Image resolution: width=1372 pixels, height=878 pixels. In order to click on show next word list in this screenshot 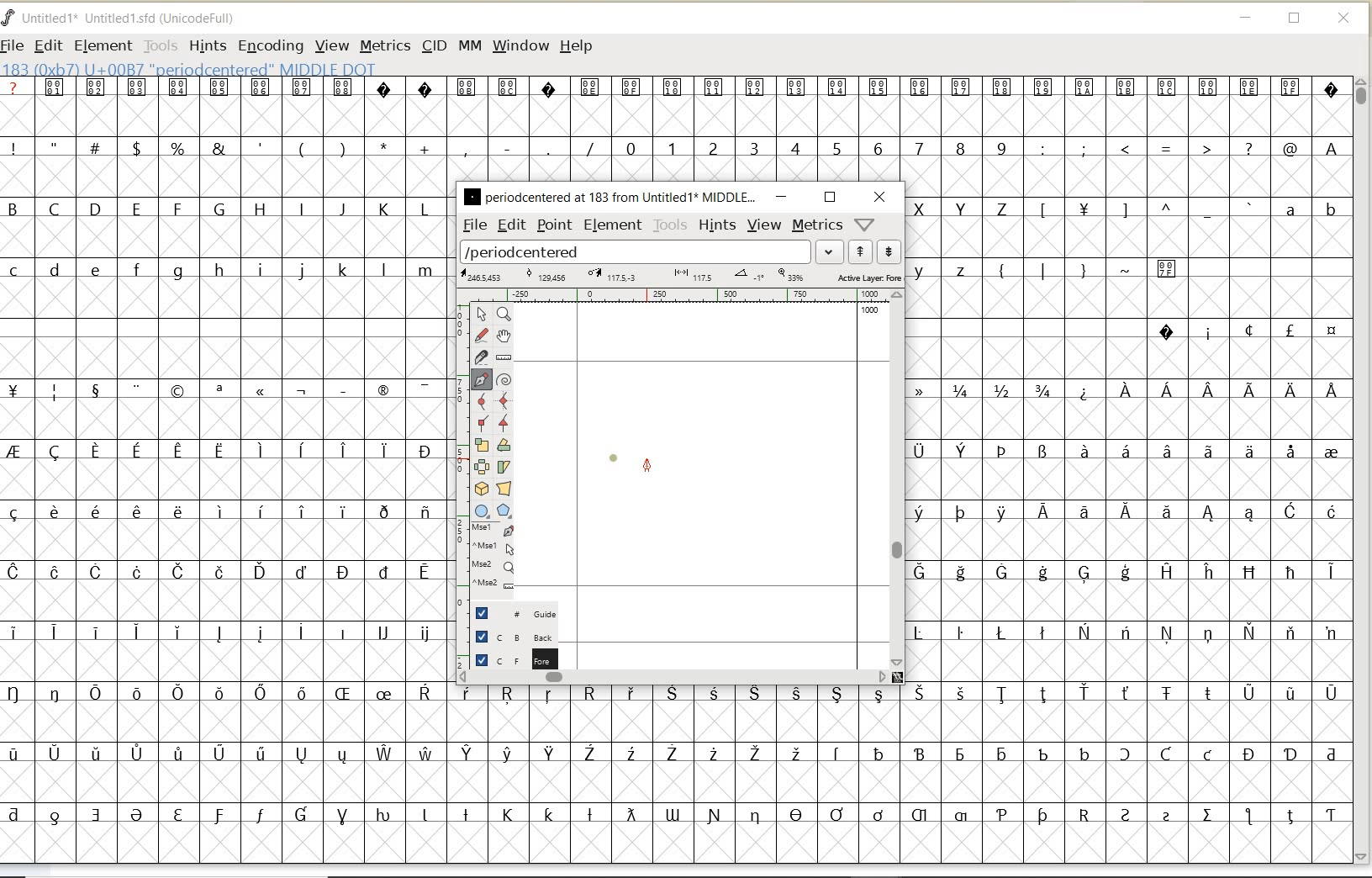, I will do `click(891, 252)`.